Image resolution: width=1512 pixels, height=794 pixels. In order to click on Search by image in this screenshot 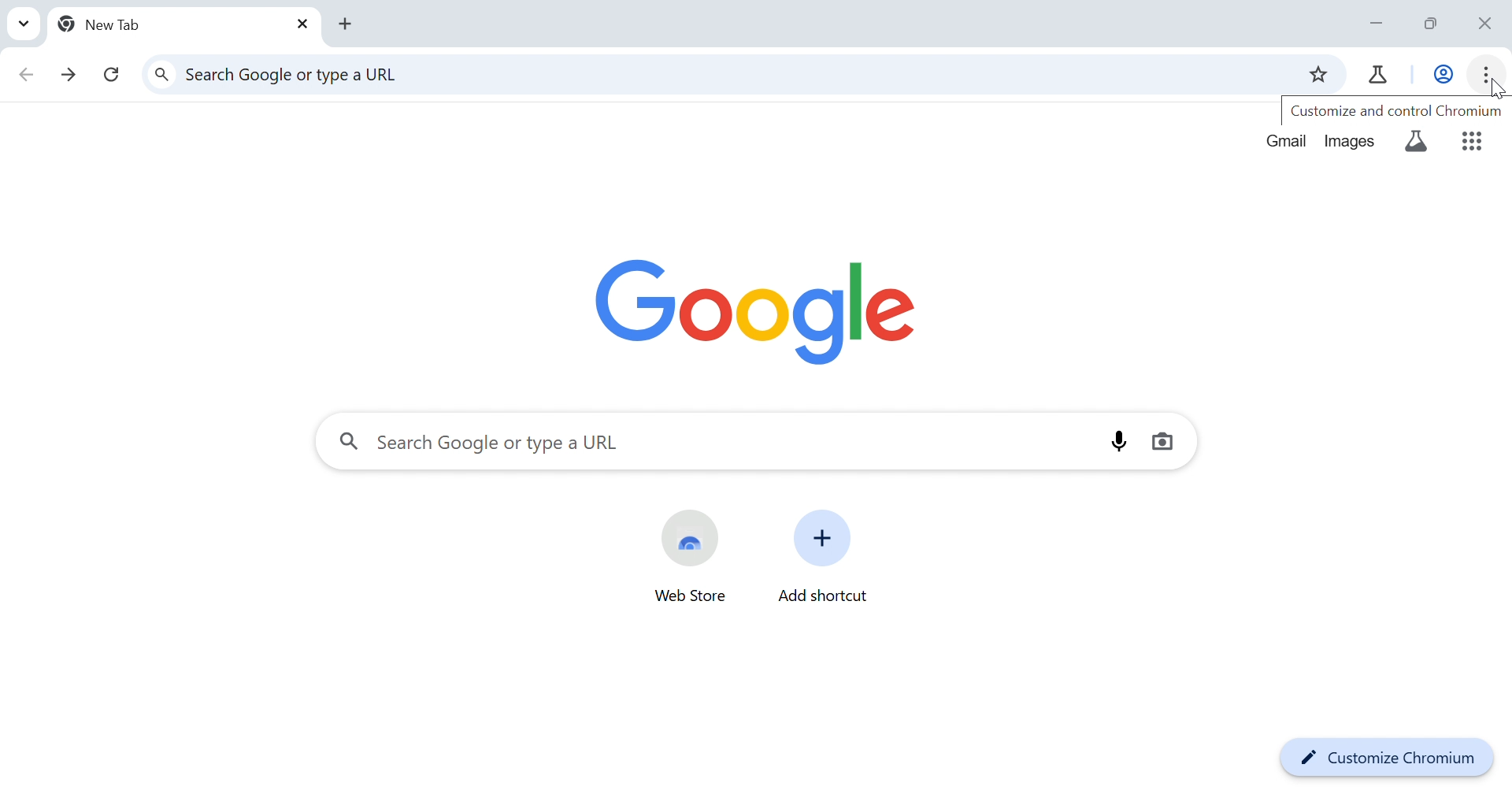, I will do `click(1165, 443)`.